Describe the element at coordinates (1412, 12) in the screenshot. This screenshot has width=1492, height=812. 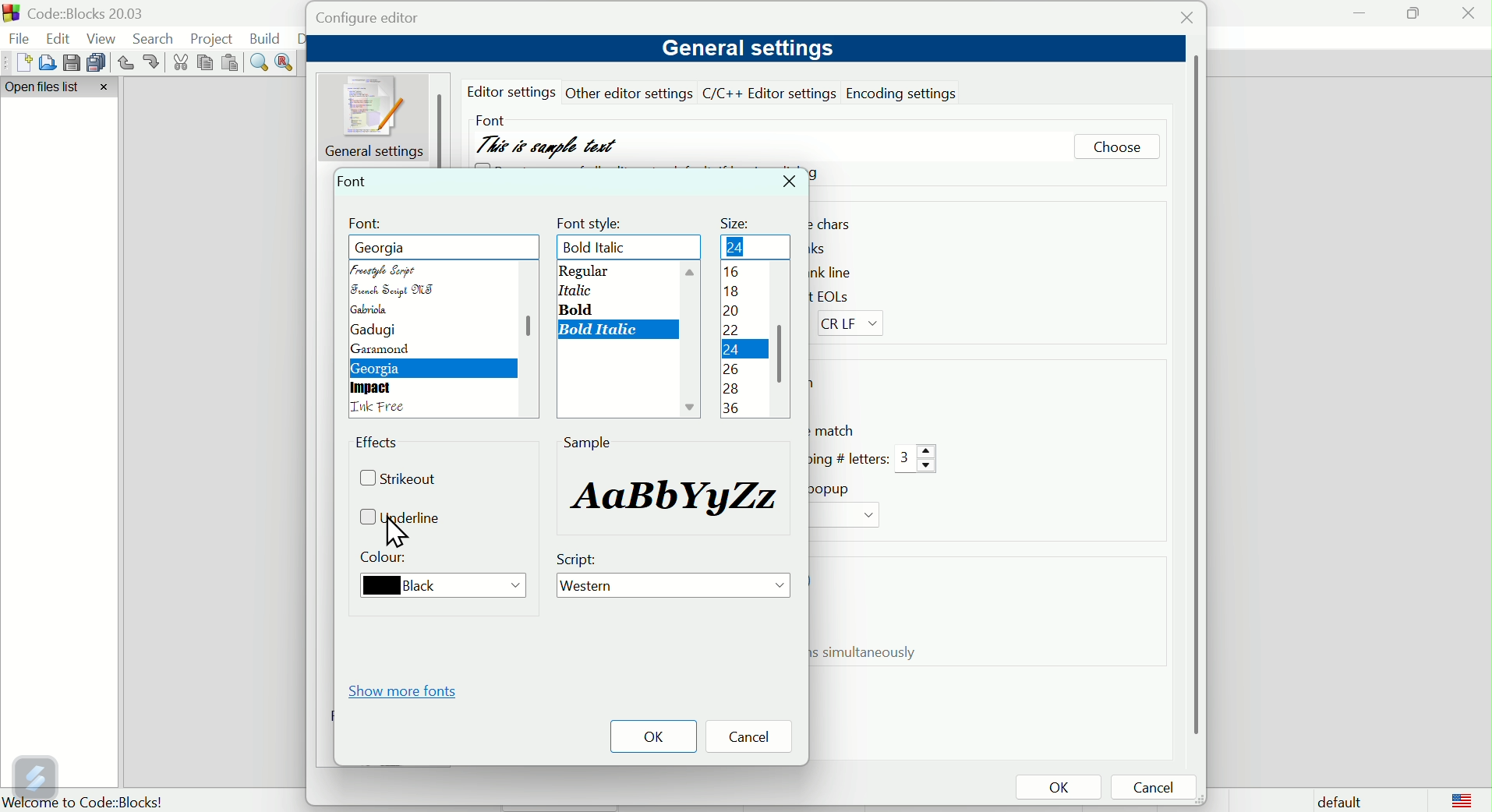
I see `maximise` at that location.